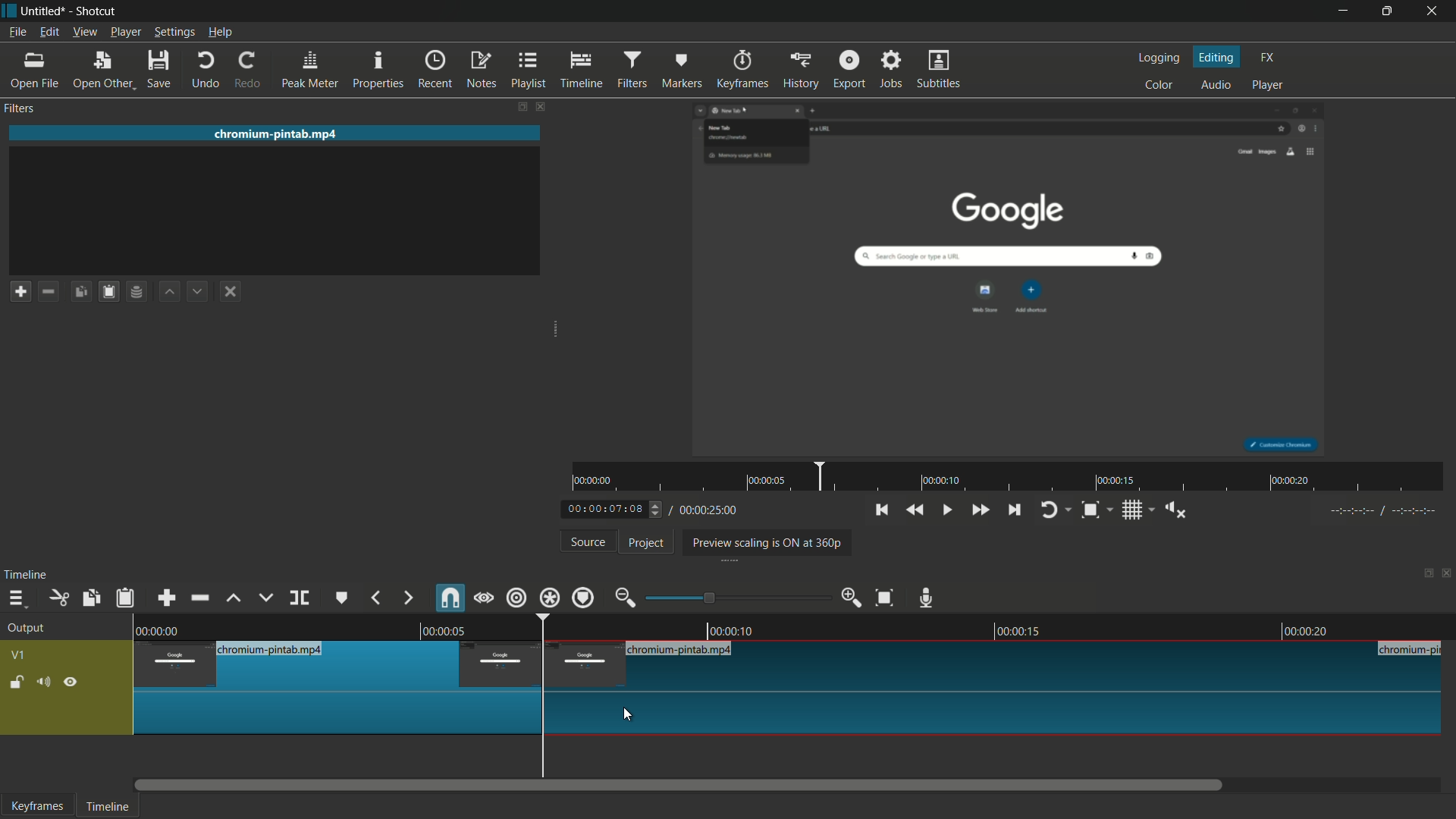 The height and width of the screenshot is (819, 1456). What do you see at coordinates (37, 805) in the screenshot?
I see `keyframes` at bounding box center [37, 805].